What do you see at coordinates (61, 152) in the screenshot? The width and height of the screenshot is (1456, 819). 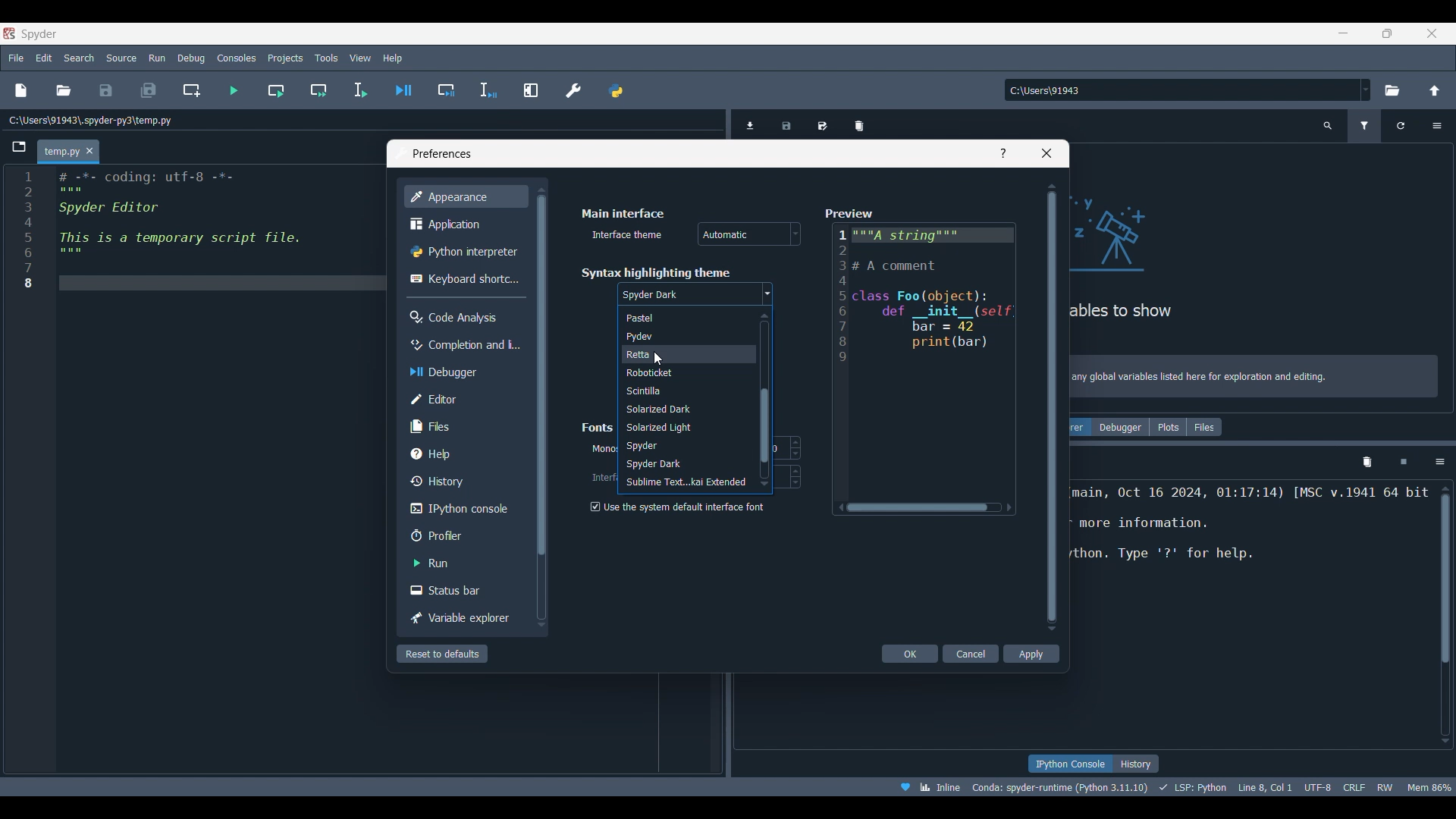 I see `Current tab highlighted` at bounding box center [61, 152].